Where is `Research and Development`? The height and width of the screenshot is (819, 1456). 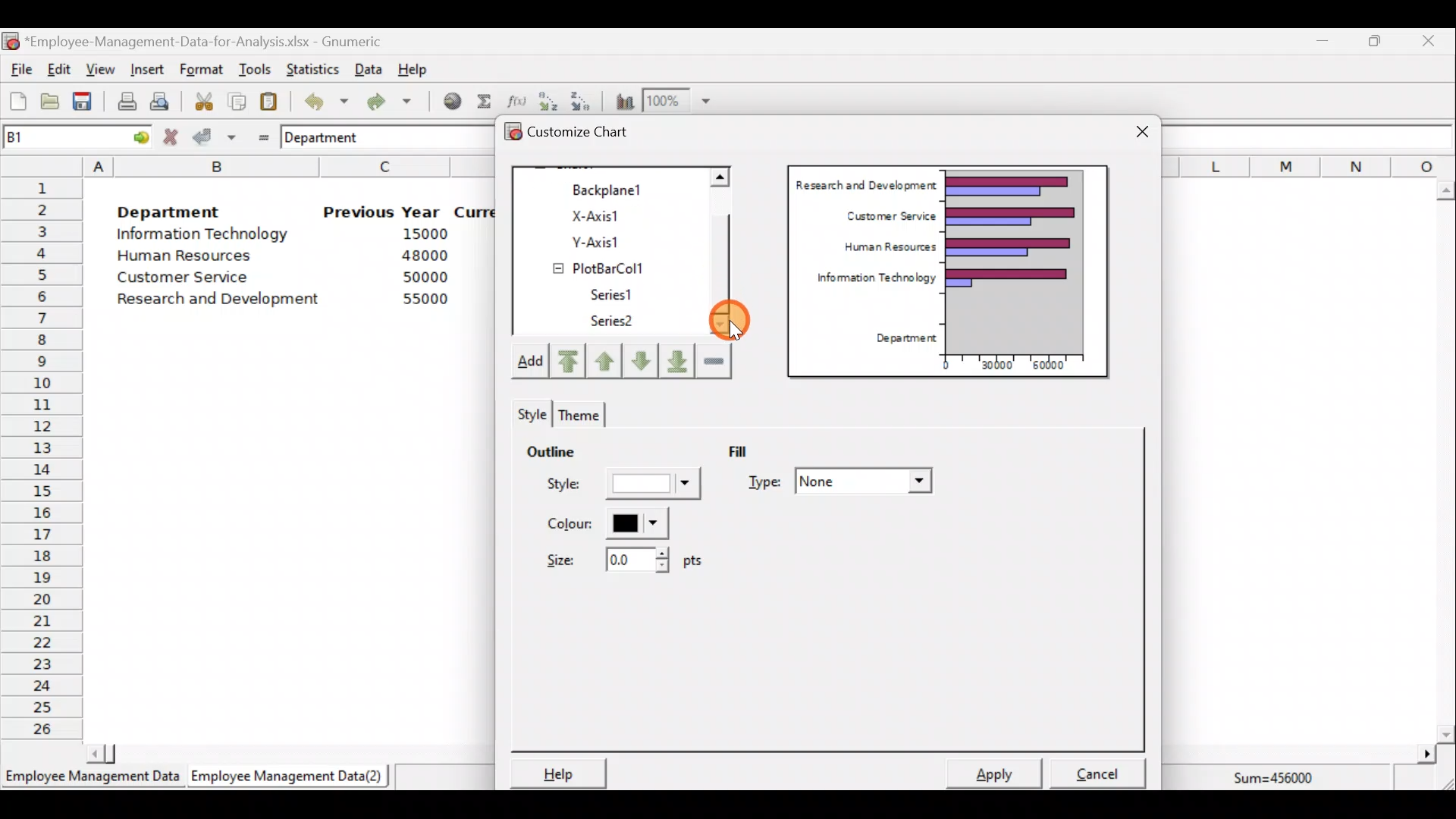
Research and Development is located at coordinates (224, 301).